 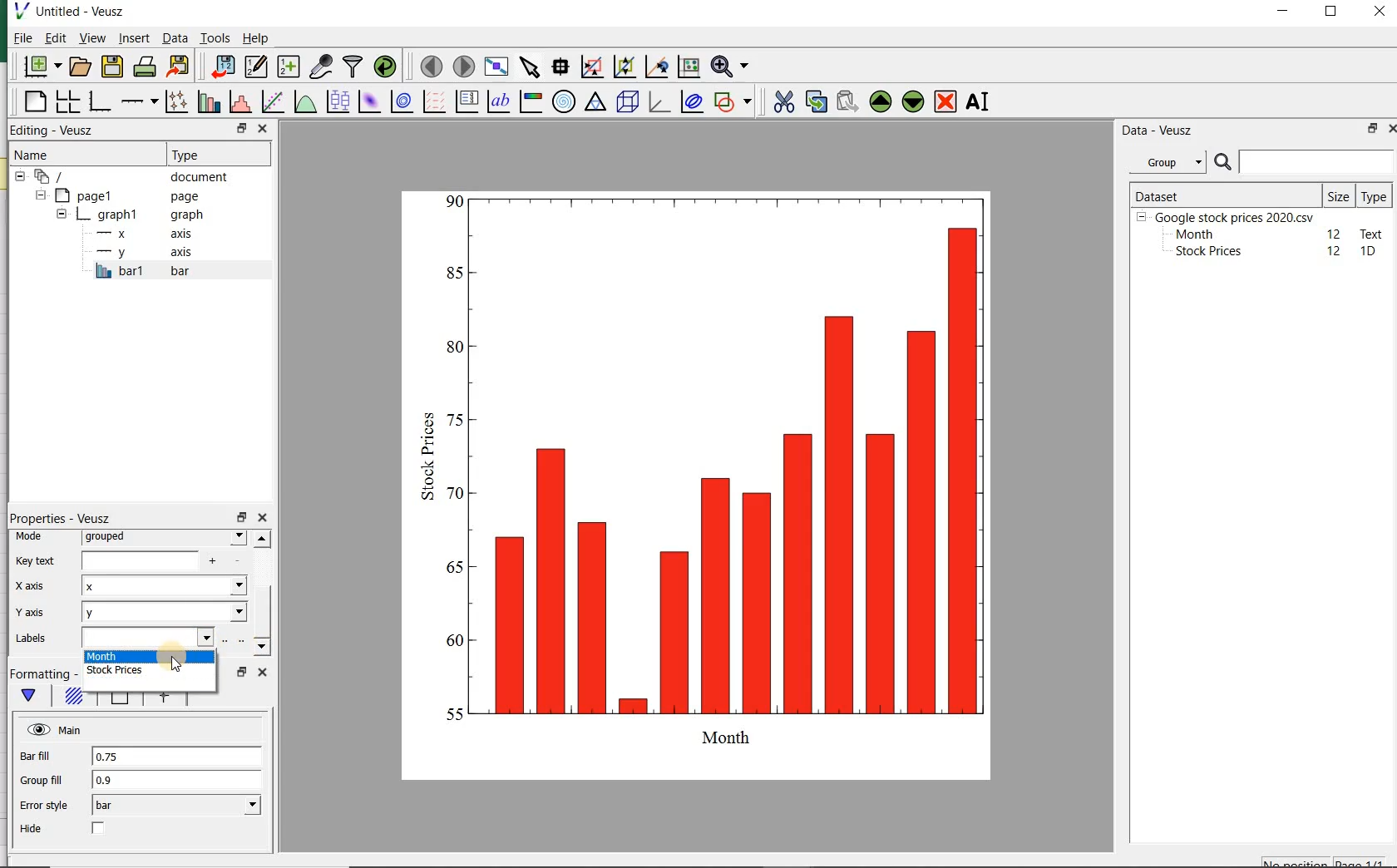 What do you see at coordinates (127, 216) in the screenshot?
I see `graph1` at bounding box center [127, 216].